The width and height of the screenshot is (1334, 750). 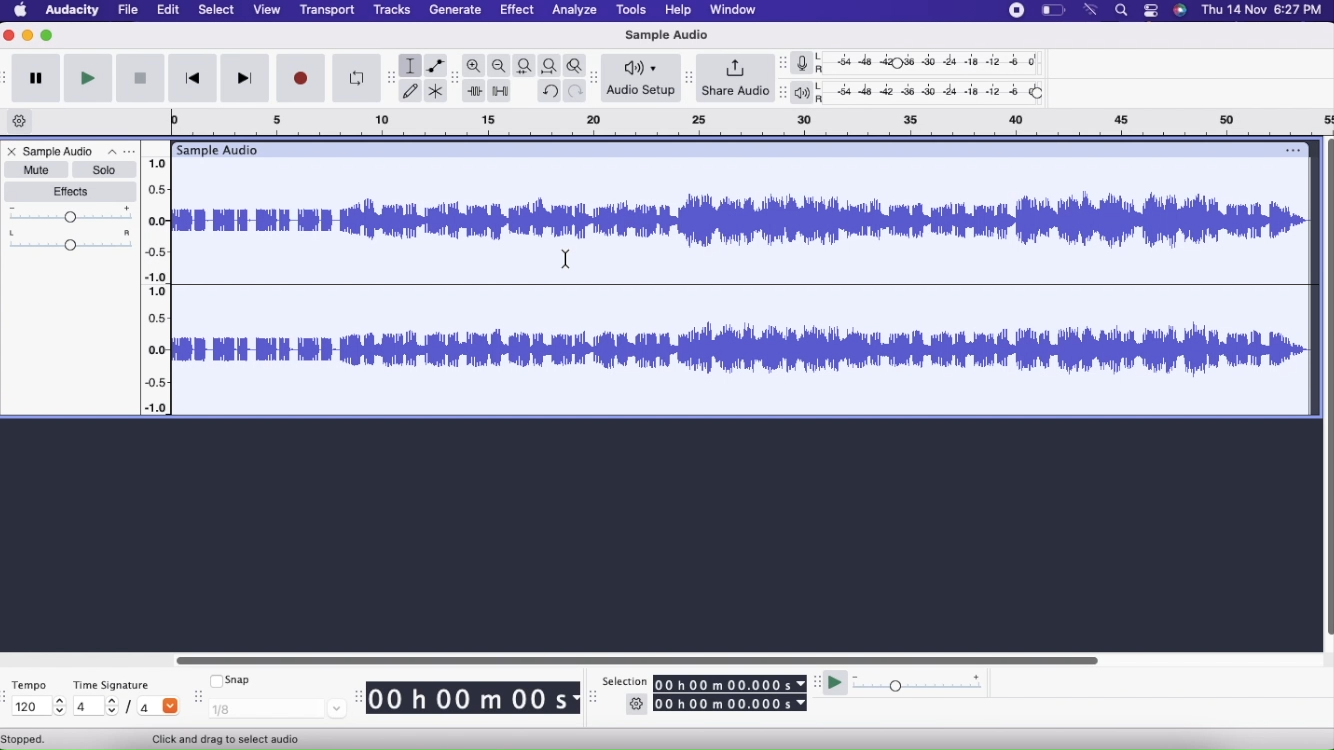 What do you see at coordinates (574, 11) in the screenshot?
I see `Analyze` at bounding box center [574, 11].